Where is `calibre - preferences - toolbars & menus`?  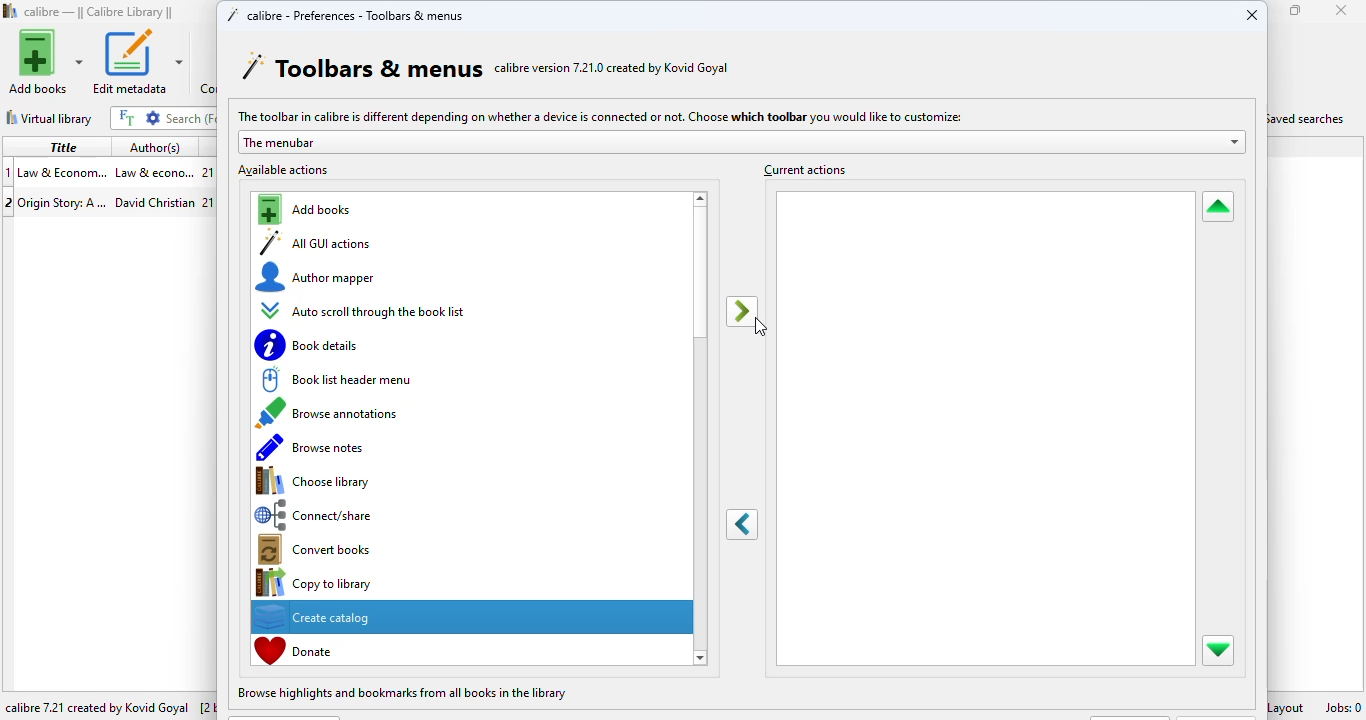 calibre - preferences - toolbars & menus is located at coordinates (344, 14).